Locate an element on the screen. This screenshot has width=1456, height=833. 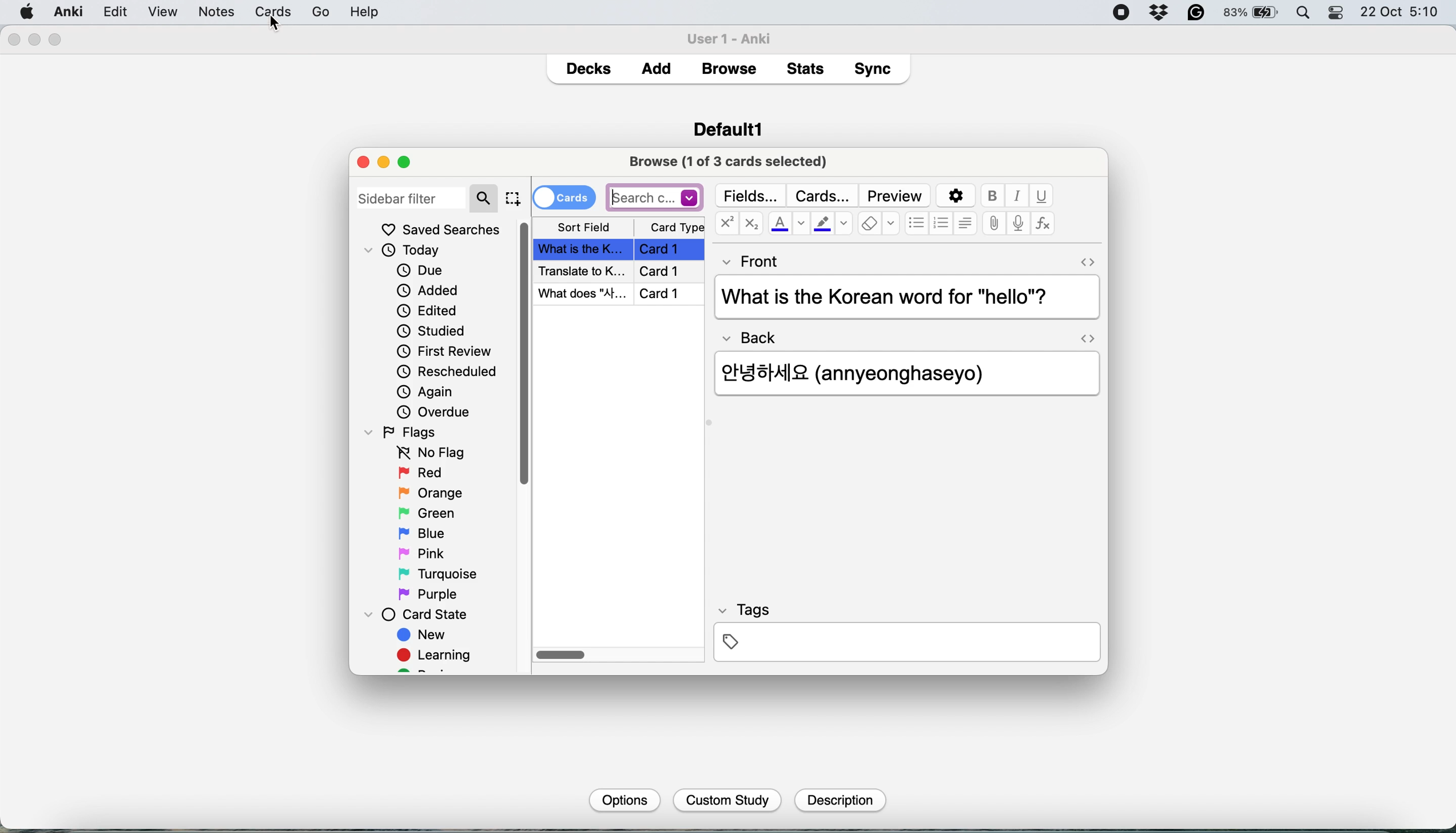
highlight color is located at coordinates (831, 225).